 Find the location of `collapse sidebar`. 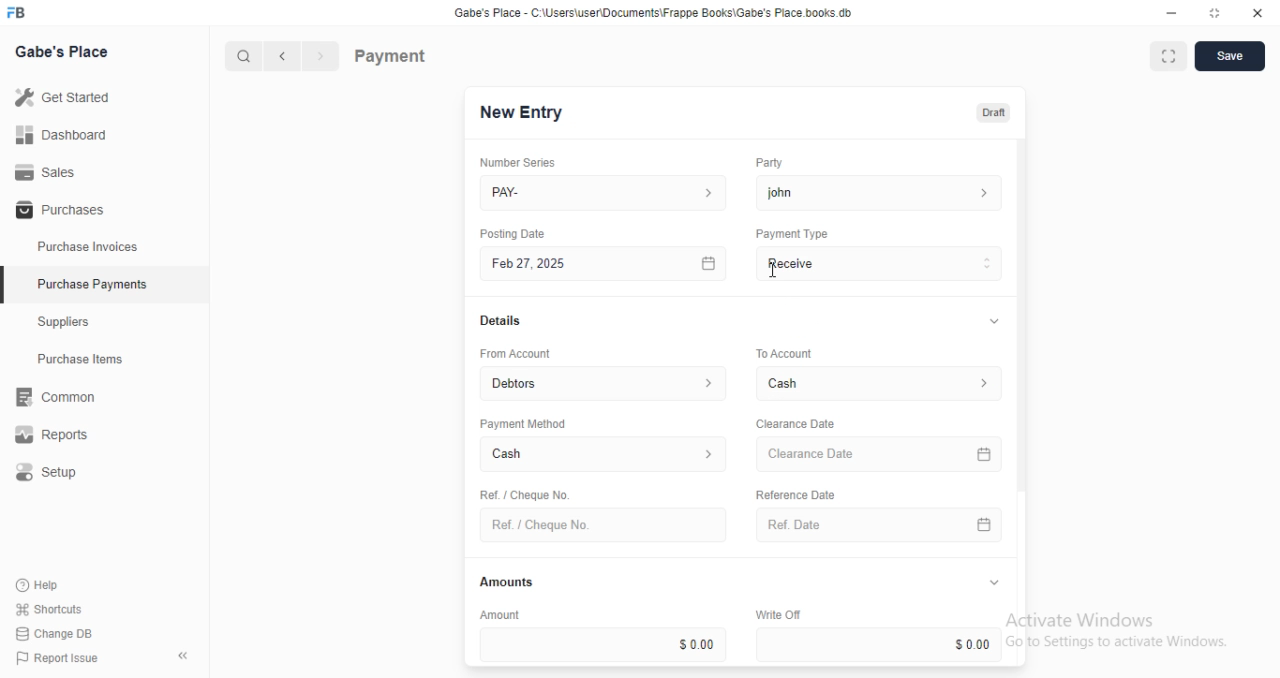

collapse sidebar is located at coordinates (182, 655).